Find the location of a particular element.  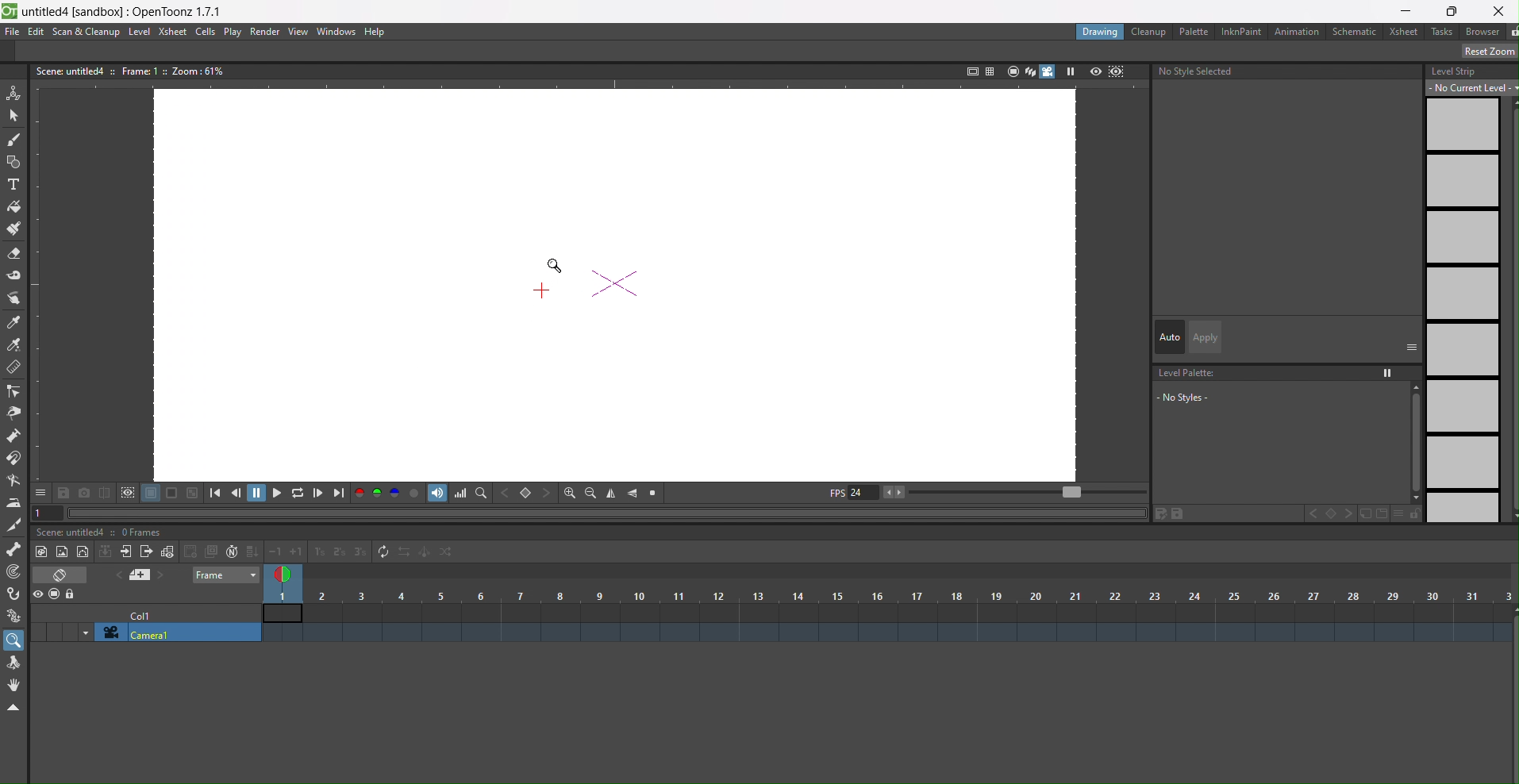

icon is located at coordinates (62, 576).